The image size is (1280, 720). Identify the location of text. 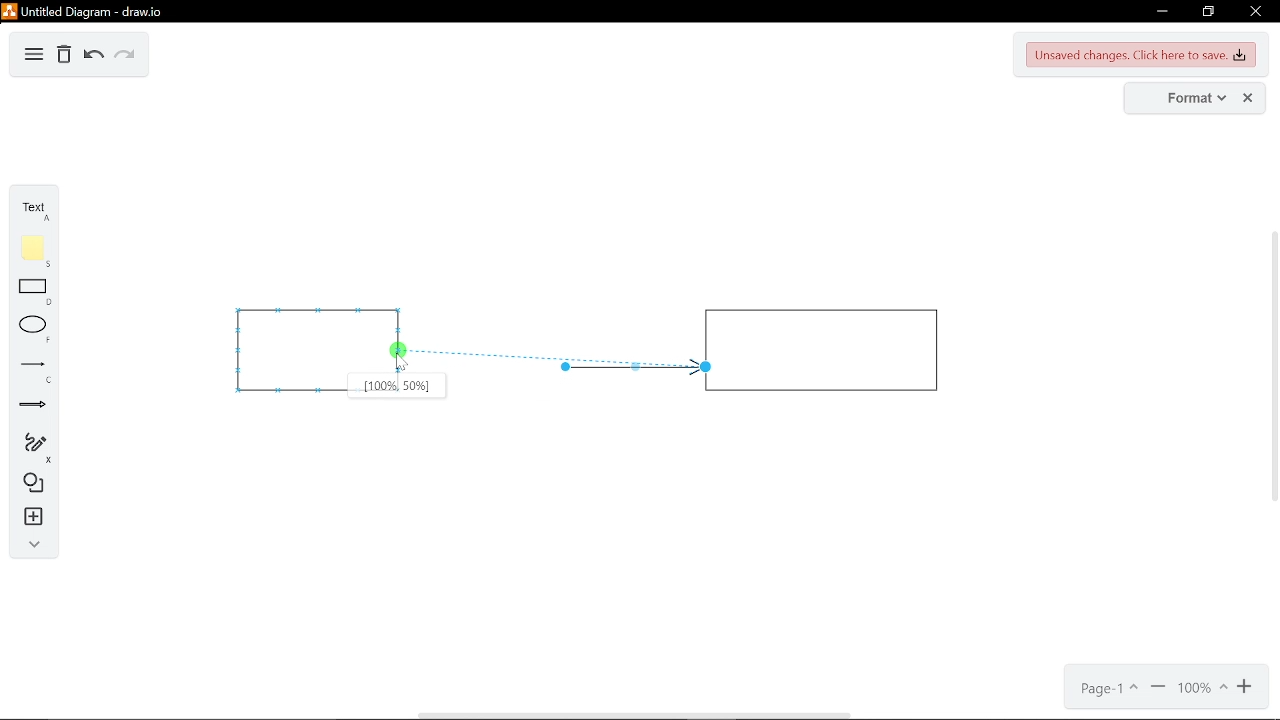
(28, 208).